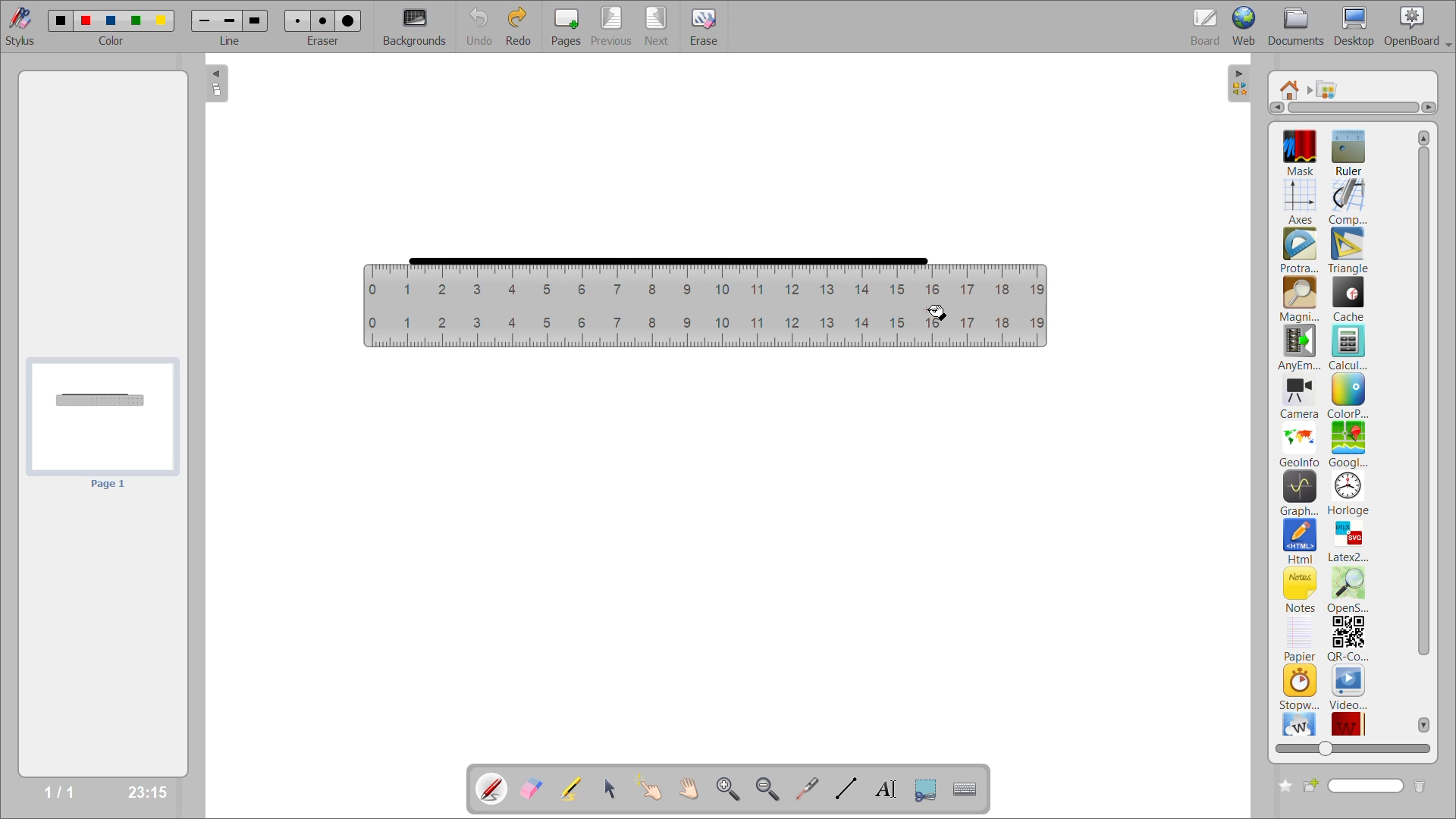 This screenshot has height=819, width=1456. Describe the element at coordinates (135, 22) in the screenshot. I see `color 4` at that location.